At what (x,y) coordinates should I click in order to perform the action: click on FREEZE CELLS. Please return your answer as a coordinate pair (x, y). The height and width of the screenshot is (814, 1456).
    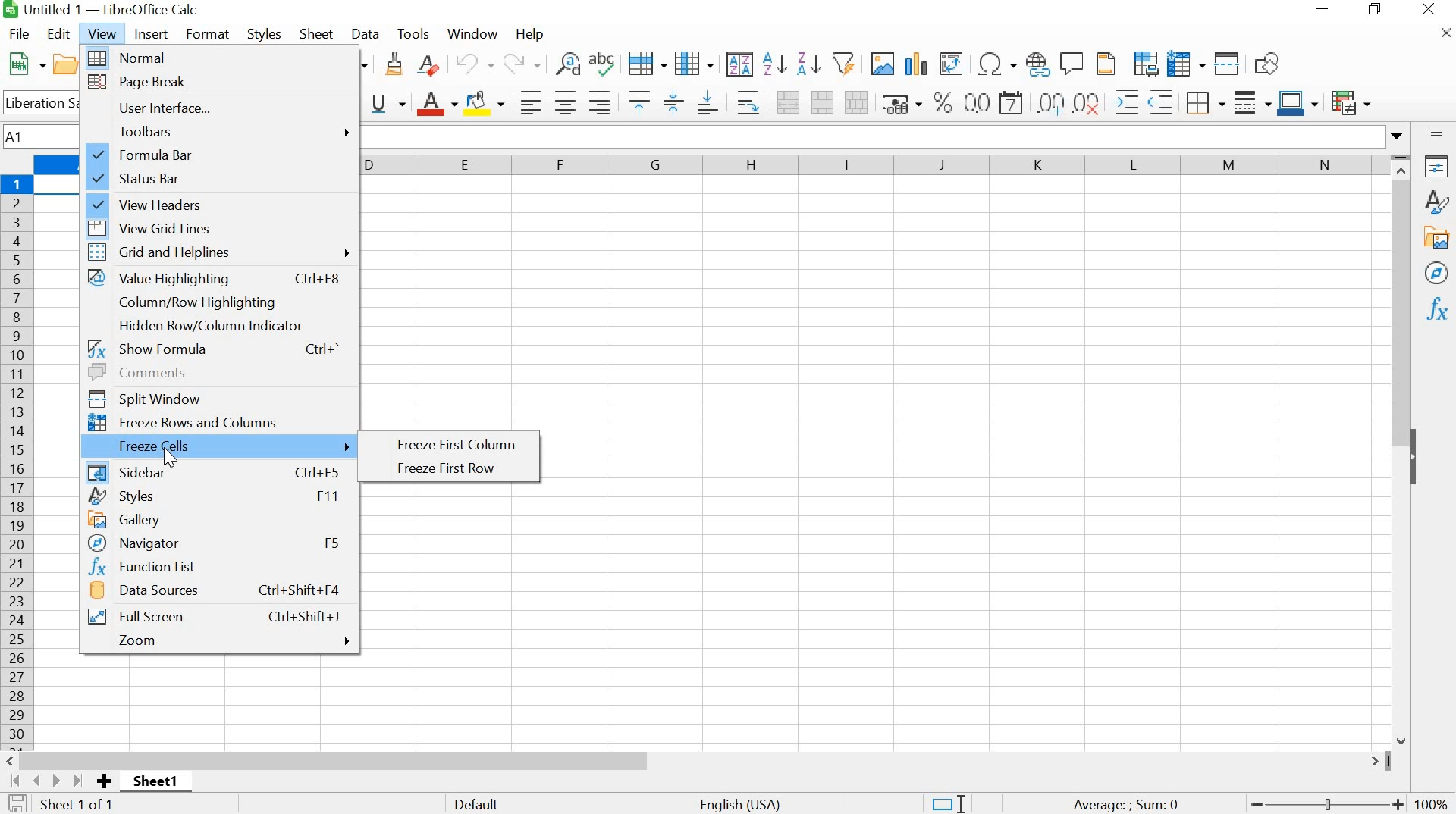
    Looking at the image, I should click on (219, 446).